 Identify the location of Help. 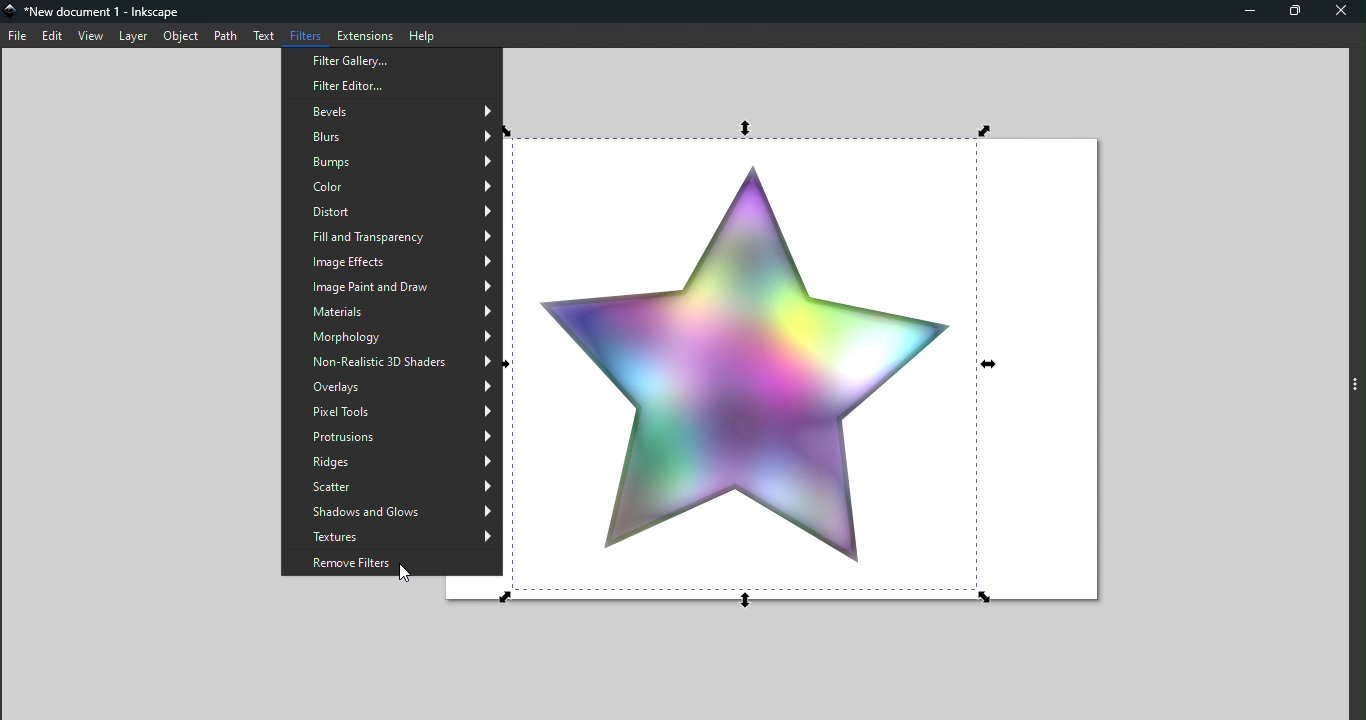
(424, 35).